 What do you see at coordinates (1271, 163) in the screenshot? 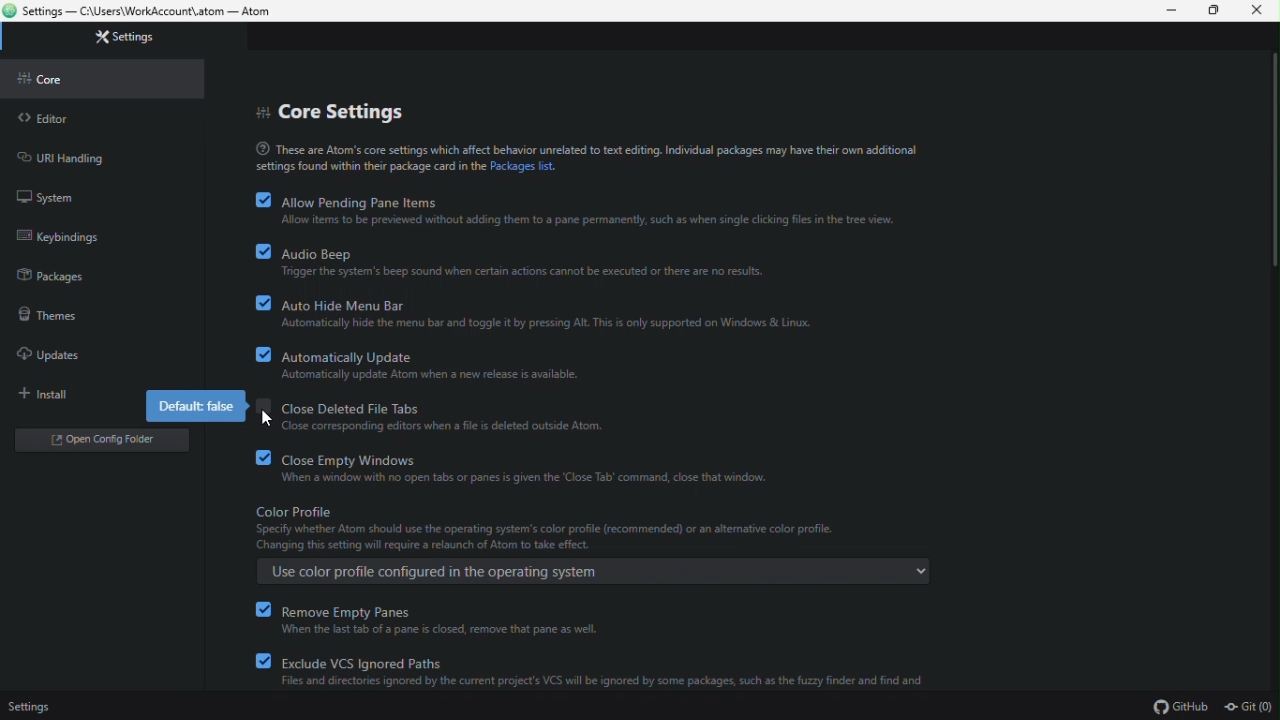
I see `scroll bar` at bounding box center [1271, 163].